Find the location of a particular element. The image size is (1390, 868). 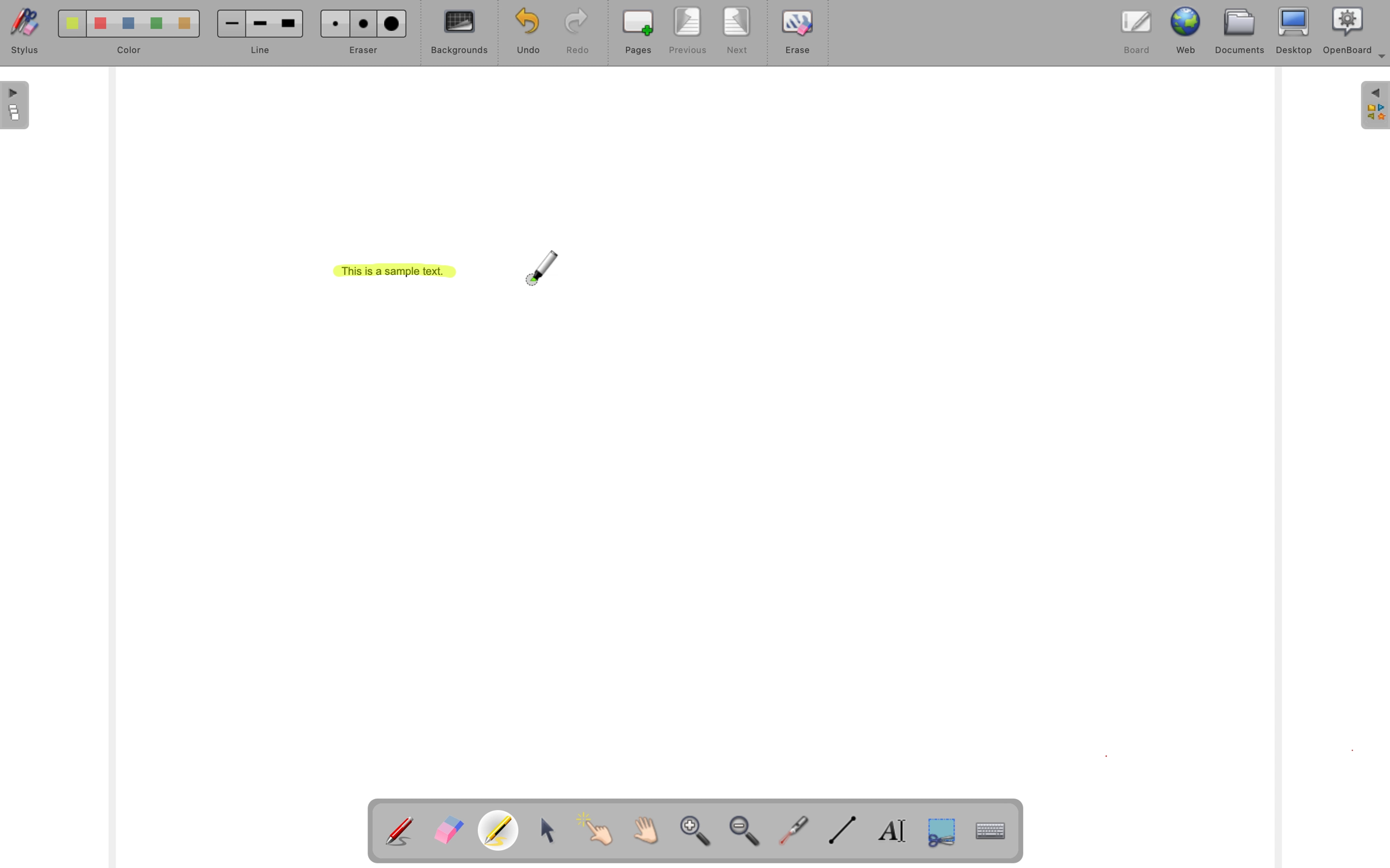

This is a sample text. is located at coordinates (400, 272).